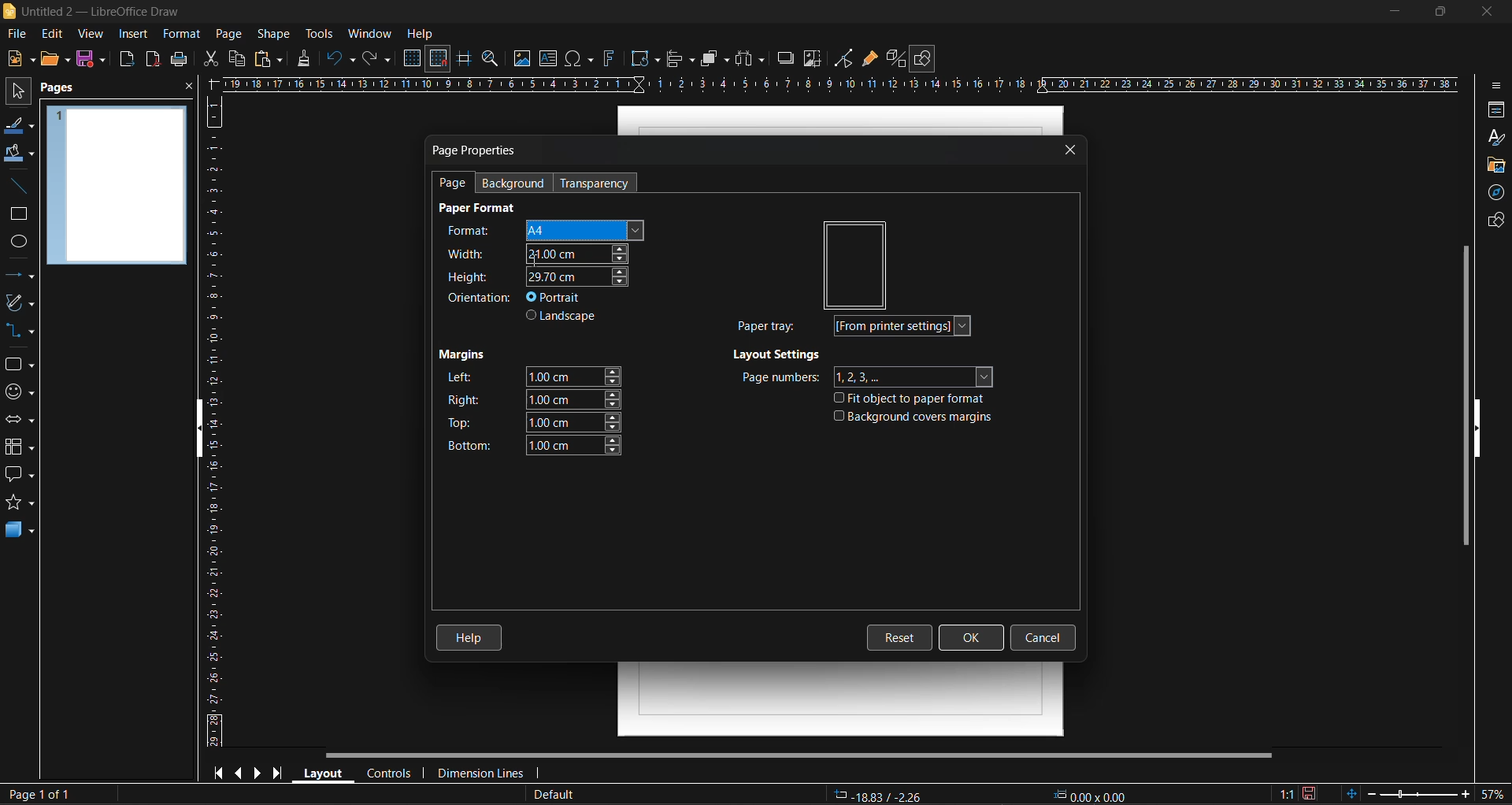  Describe the element at coordinates (865, 377) in the screenshot. I see `page numbers` at that location.